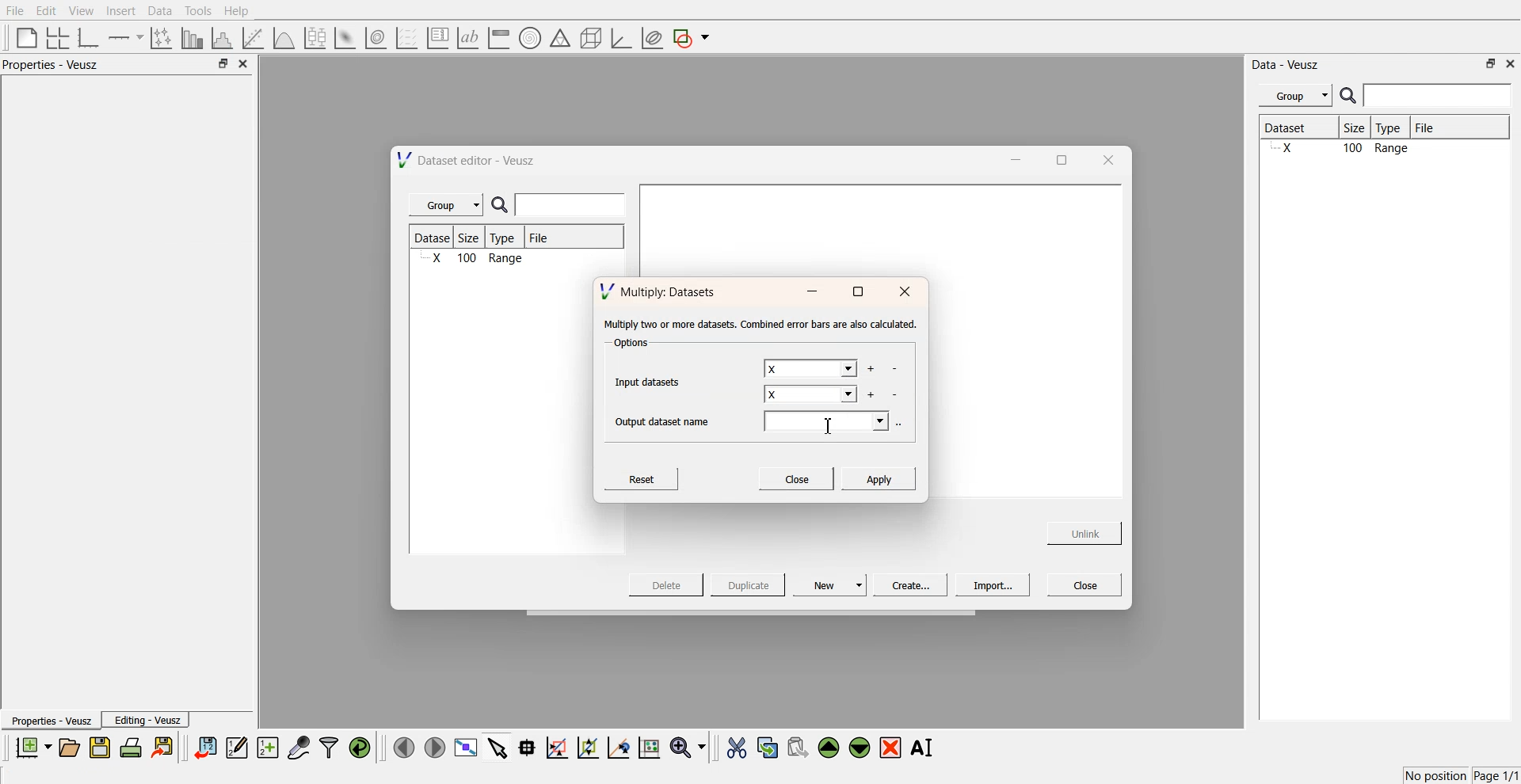  What do you see at coordinates (47, 10) in the screenshot?
I see `Edit` at bounding box center [47, 10].